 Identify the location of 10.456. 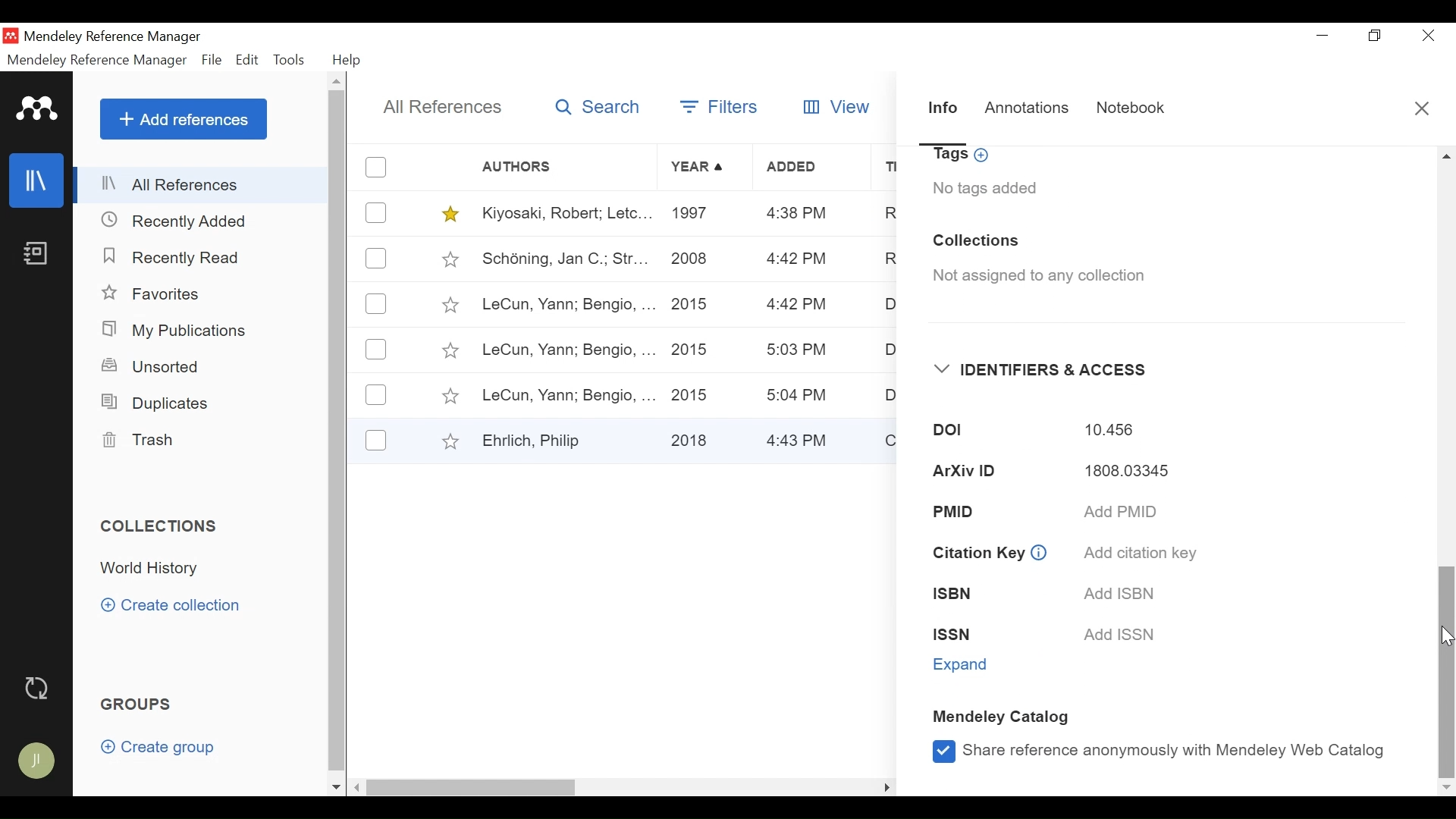
(1109, 431).